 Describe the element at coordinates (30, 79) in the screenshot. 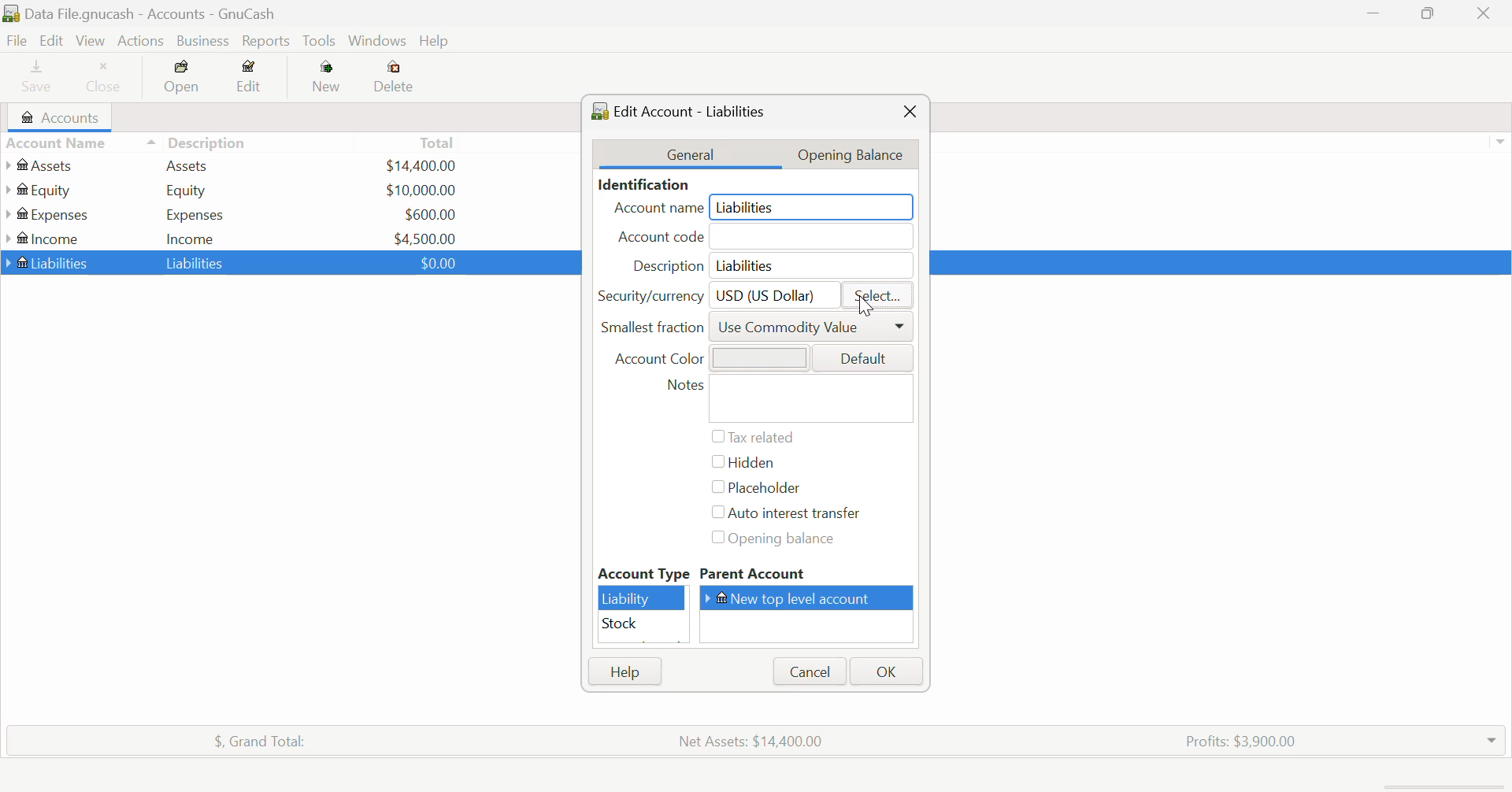

I see `Save` at that location.